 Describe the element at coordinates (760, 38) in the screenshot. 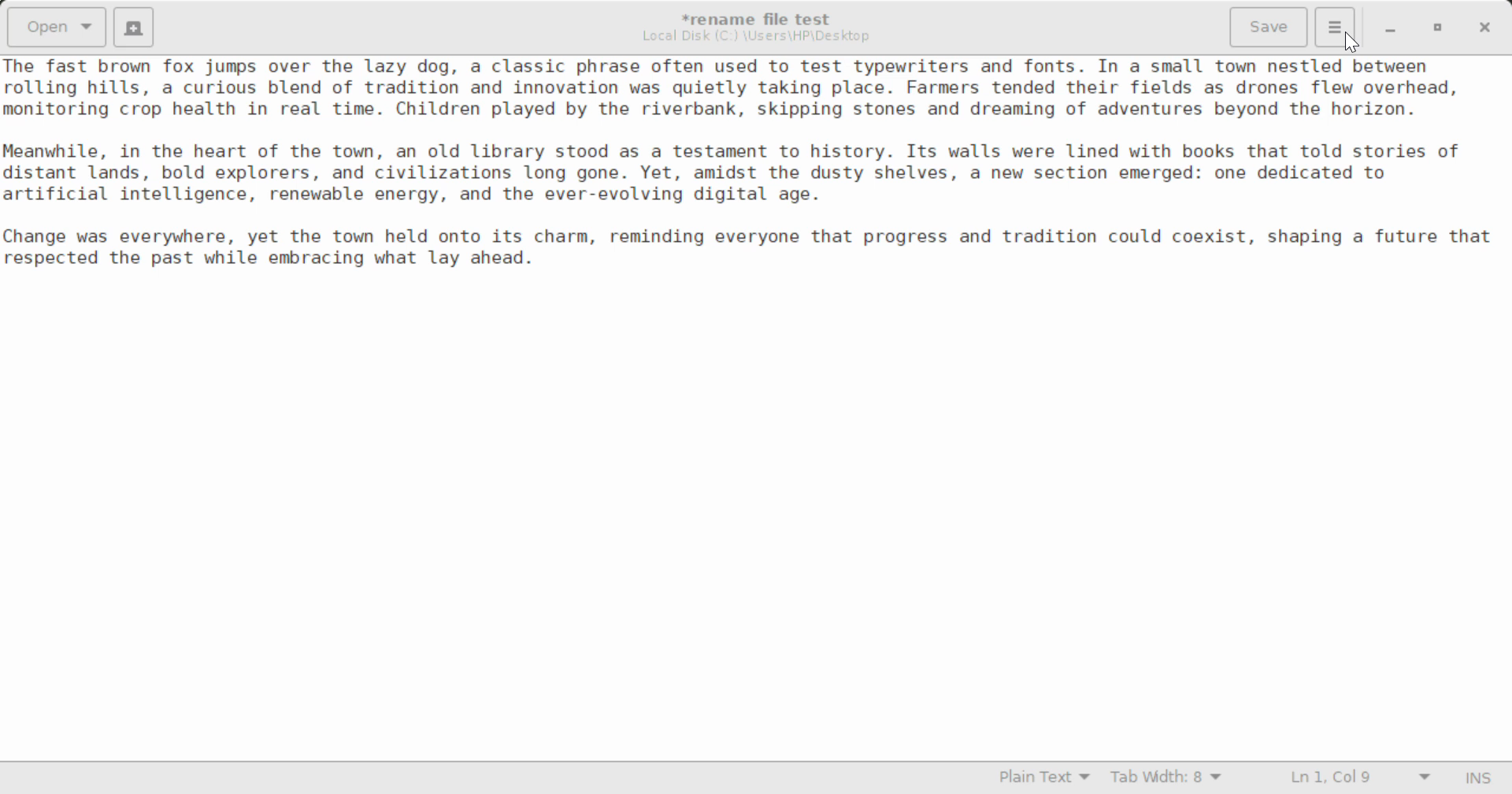

I see `File Location` at that location.